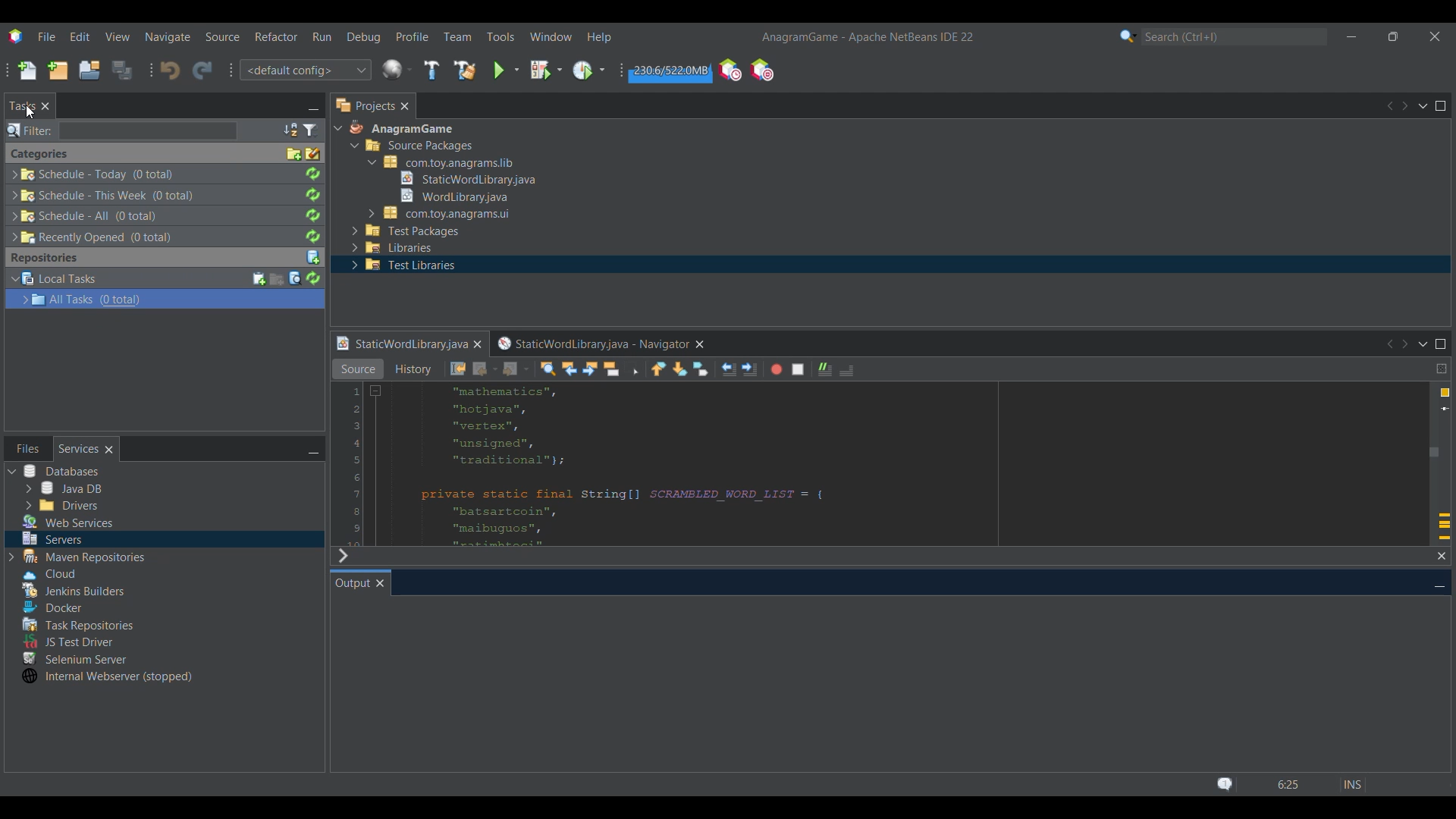 The height and width of the screenshot is (819, 1456). I want to click on Search category selection, so click(1128, 36).